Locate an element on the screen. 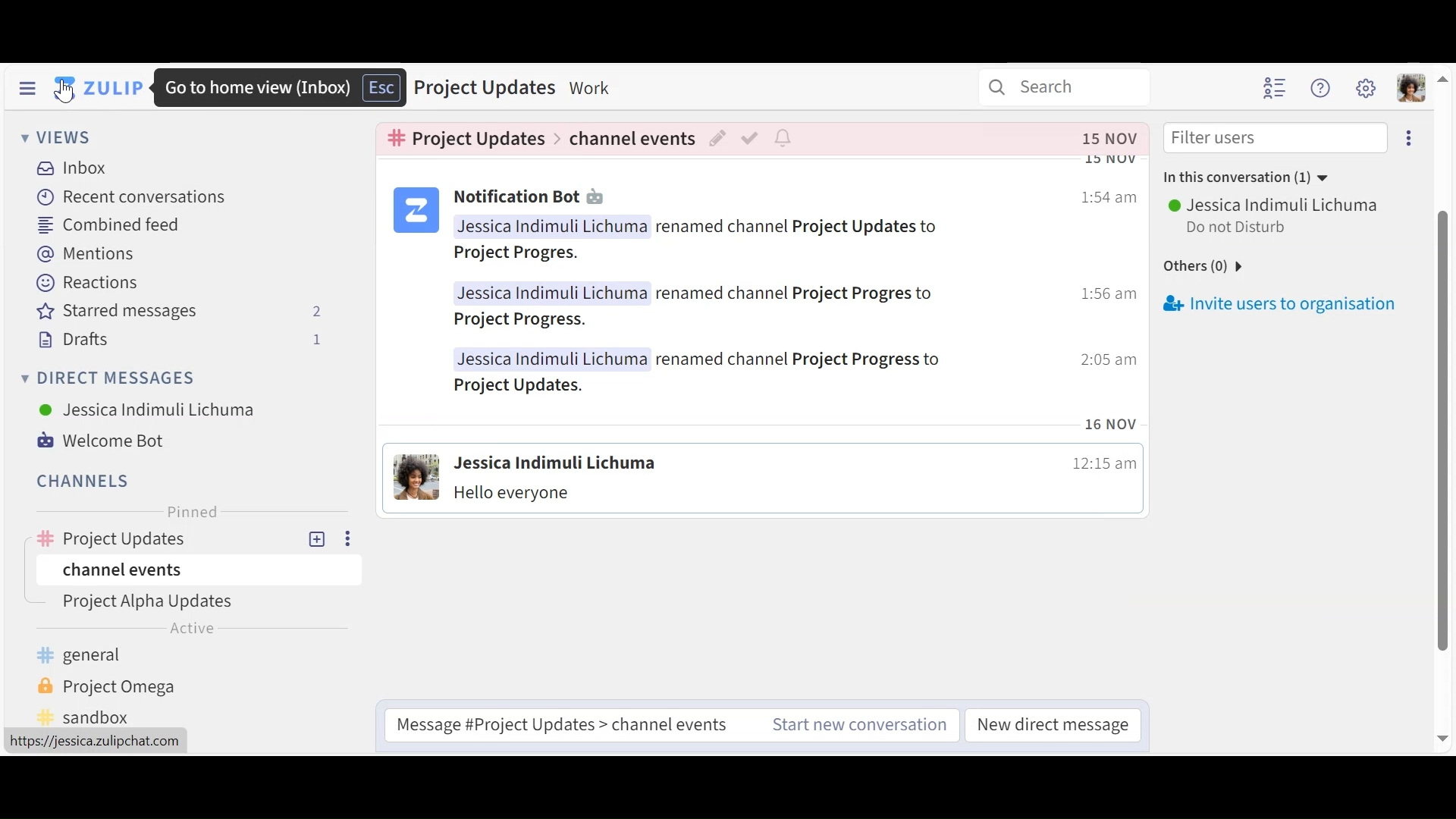 Image resolution: width=1456 pixels, height=819 pixels. inf is located at coordinates (1112, 141).